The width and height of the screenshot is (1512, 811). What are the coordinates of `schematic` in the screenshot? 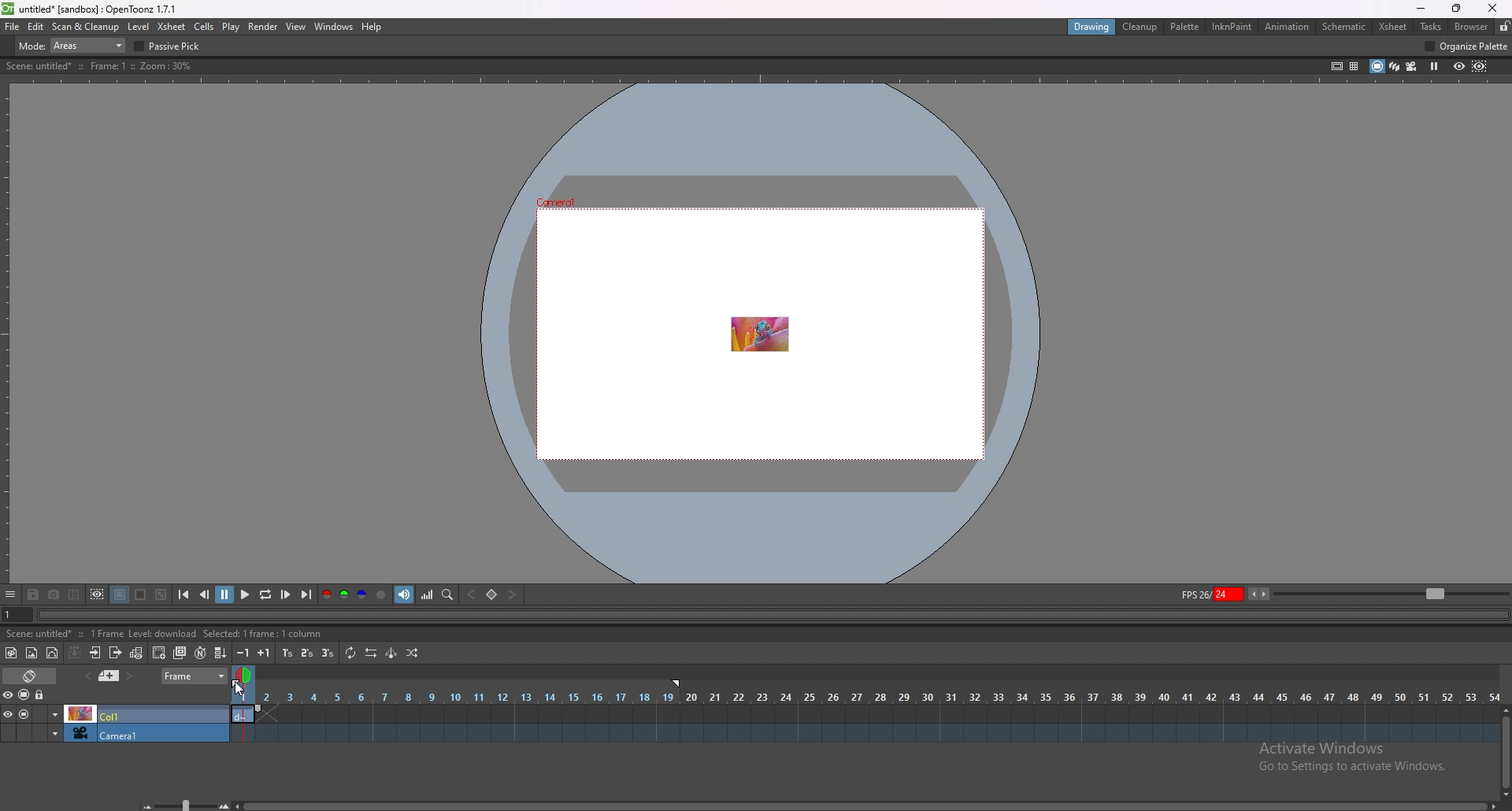 It's located at (1344, 27).